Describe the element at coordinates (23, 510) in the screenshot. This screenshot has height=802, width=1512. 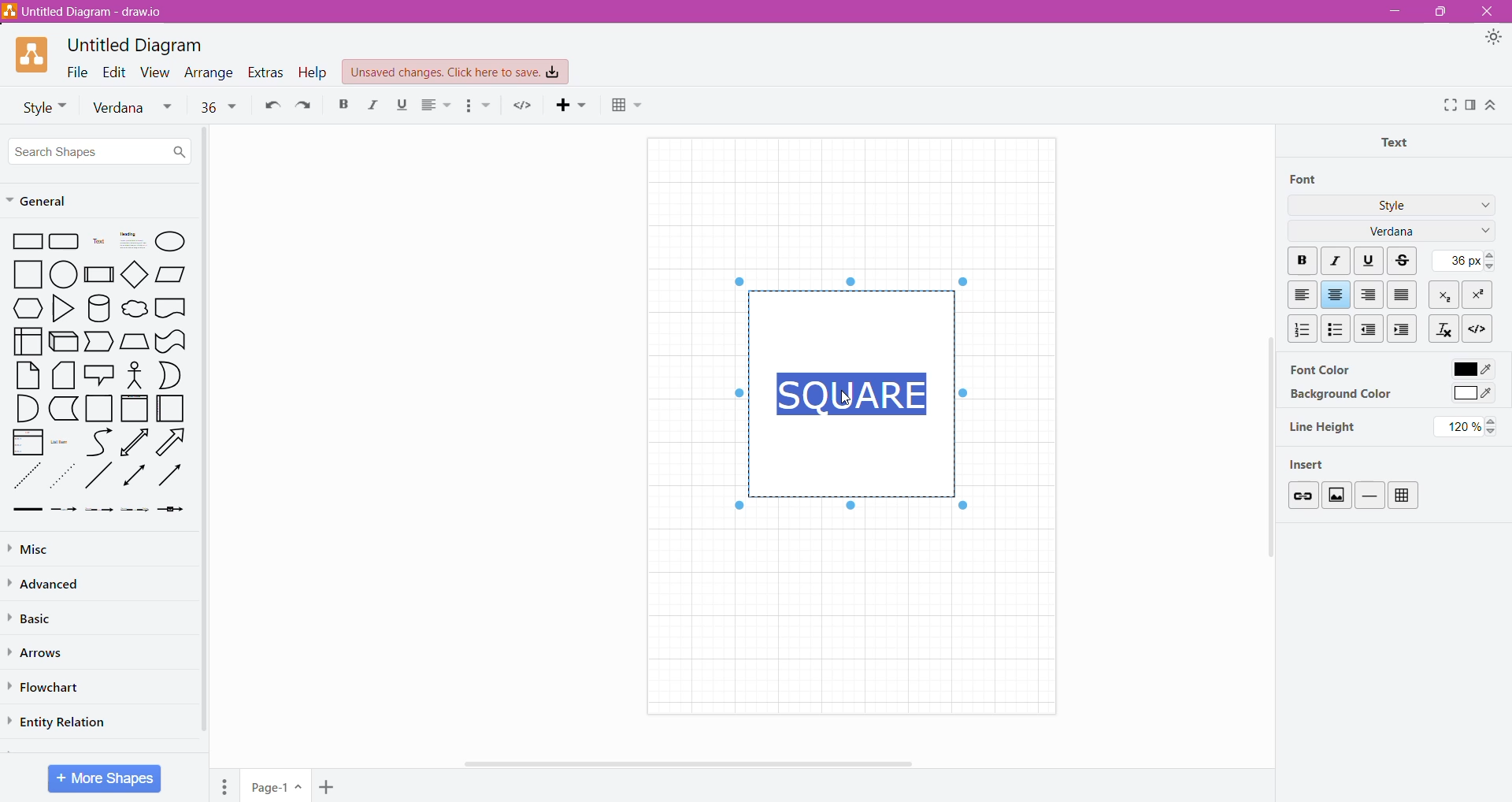
I see `Thick Arrow` at that location.